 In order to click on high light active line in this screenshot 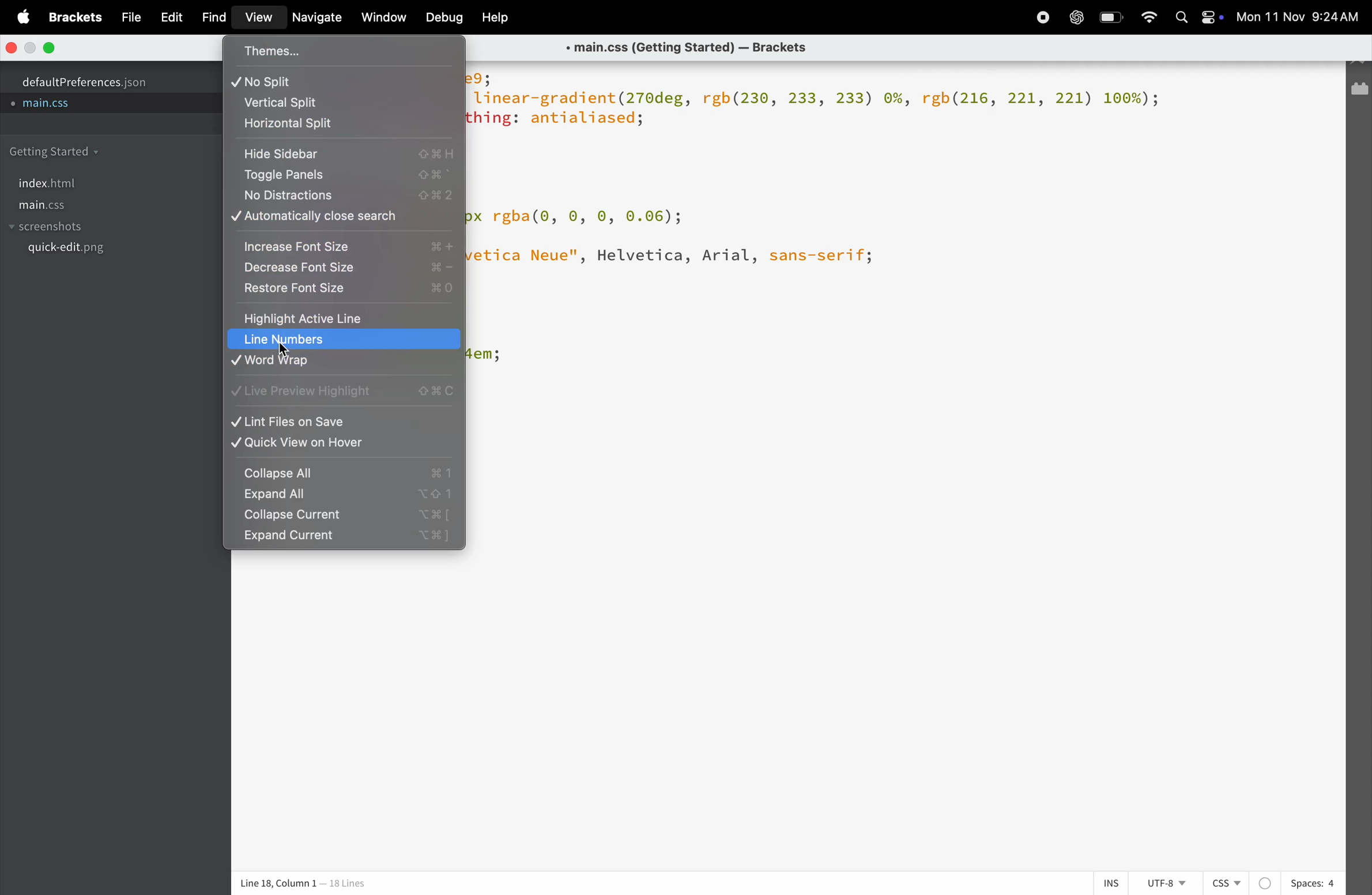, I will do `click(337, 318)`.